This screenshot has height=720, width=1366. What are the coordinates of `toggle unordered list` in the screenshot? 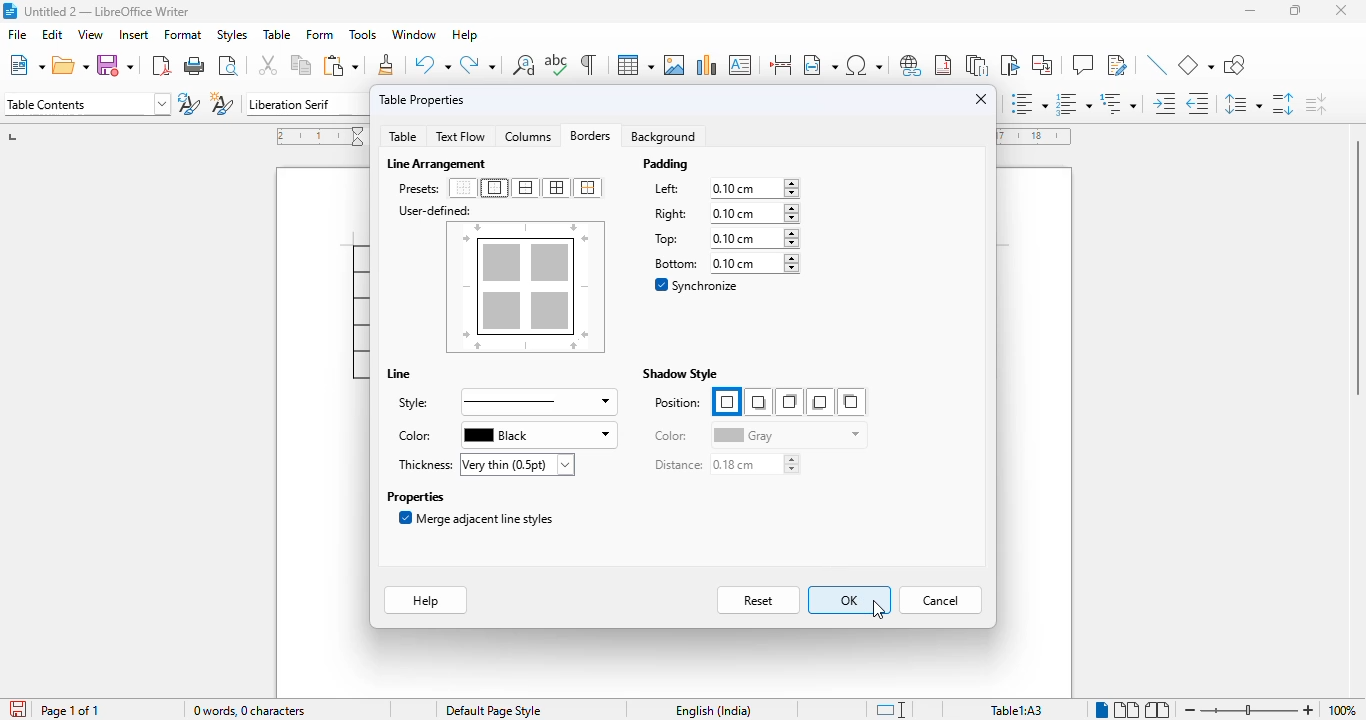 It's located at (1030, 103).